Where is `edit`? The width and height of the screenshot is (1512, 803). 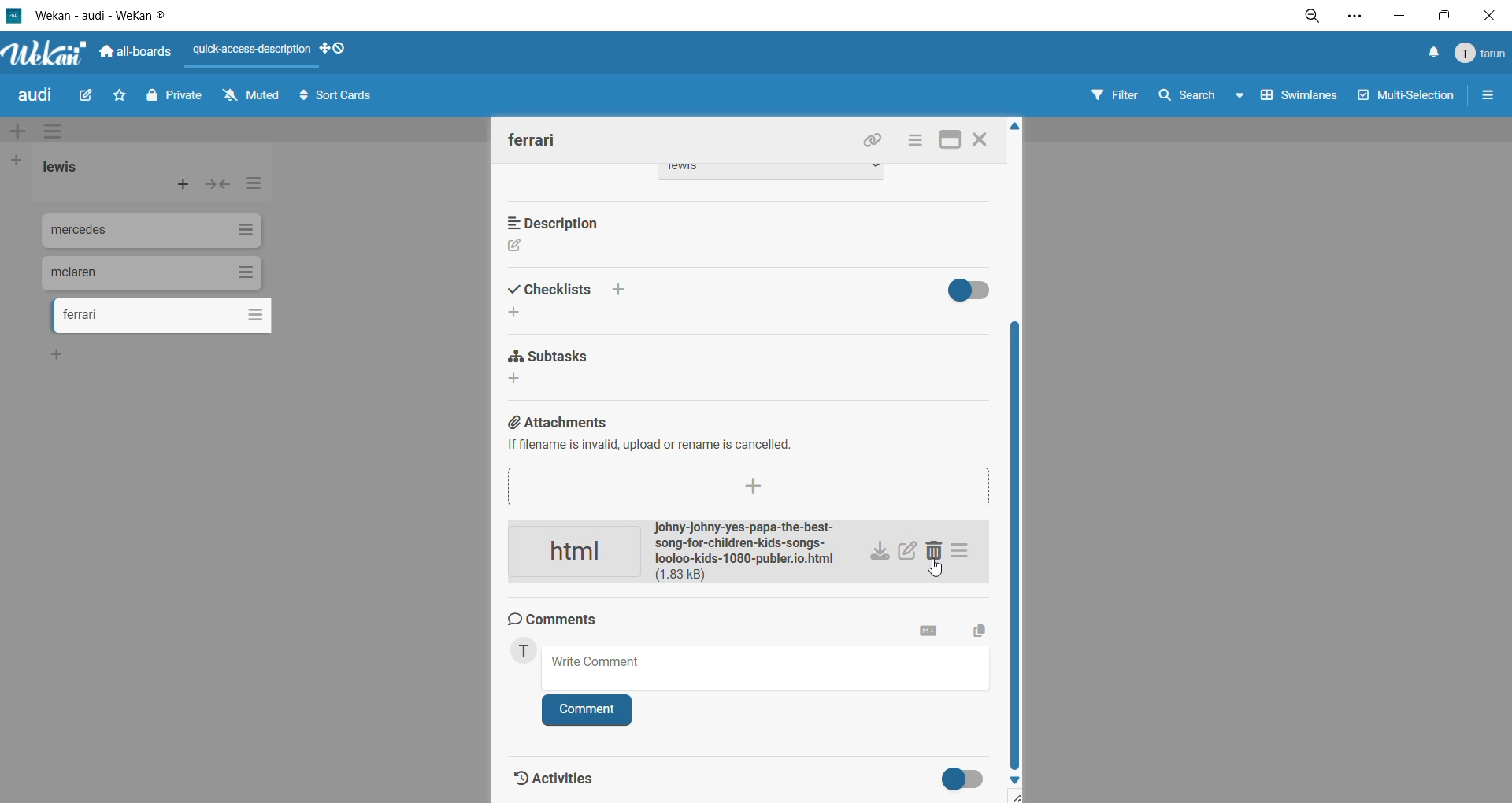
edit is located at coordinates (517, 248).